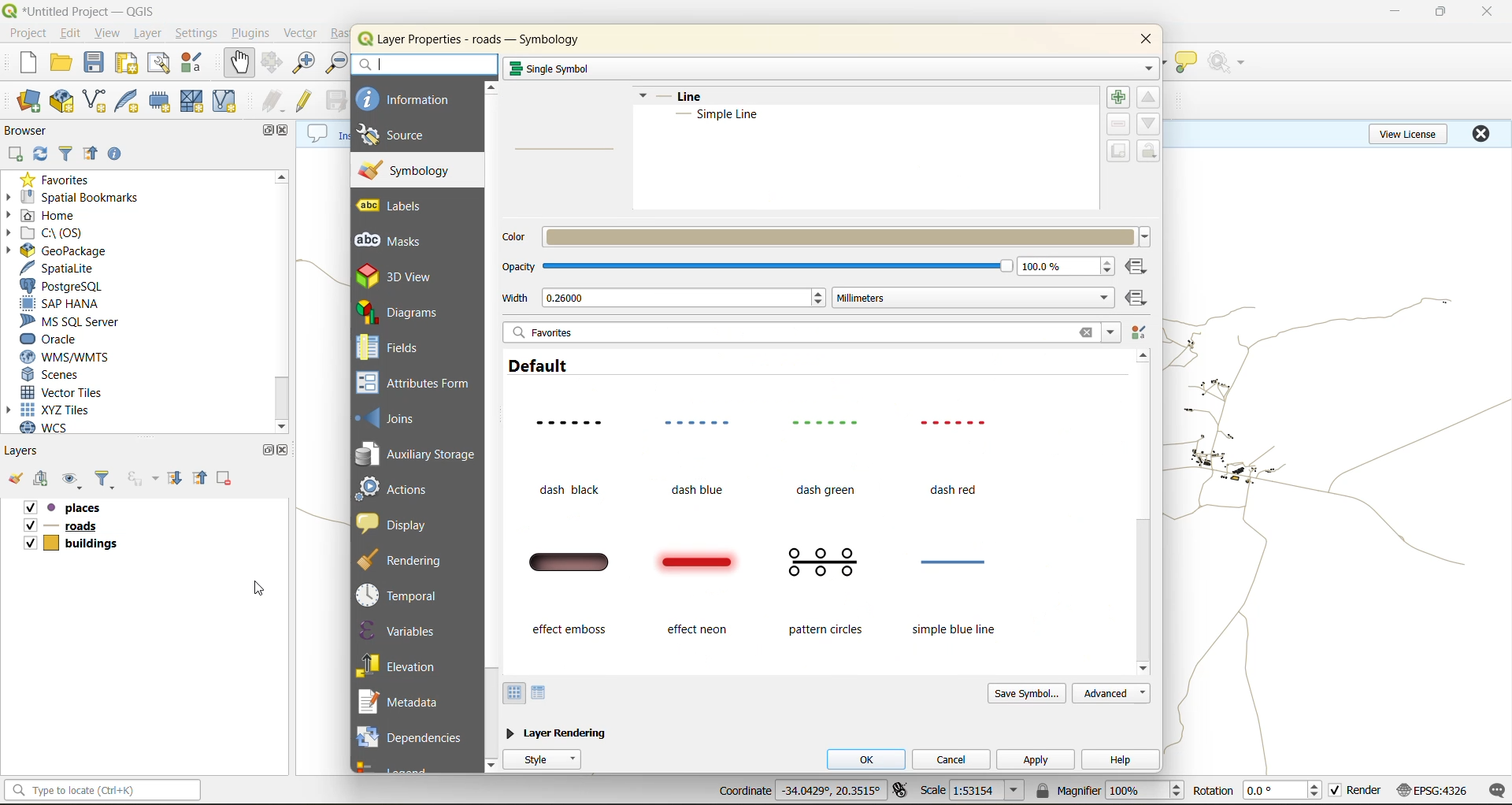 This screenshot has height=805, width=1512. What do you see at coordinates (76, 285) in the screenshot?
I see `postgresql` at bounding box center [76, 285].